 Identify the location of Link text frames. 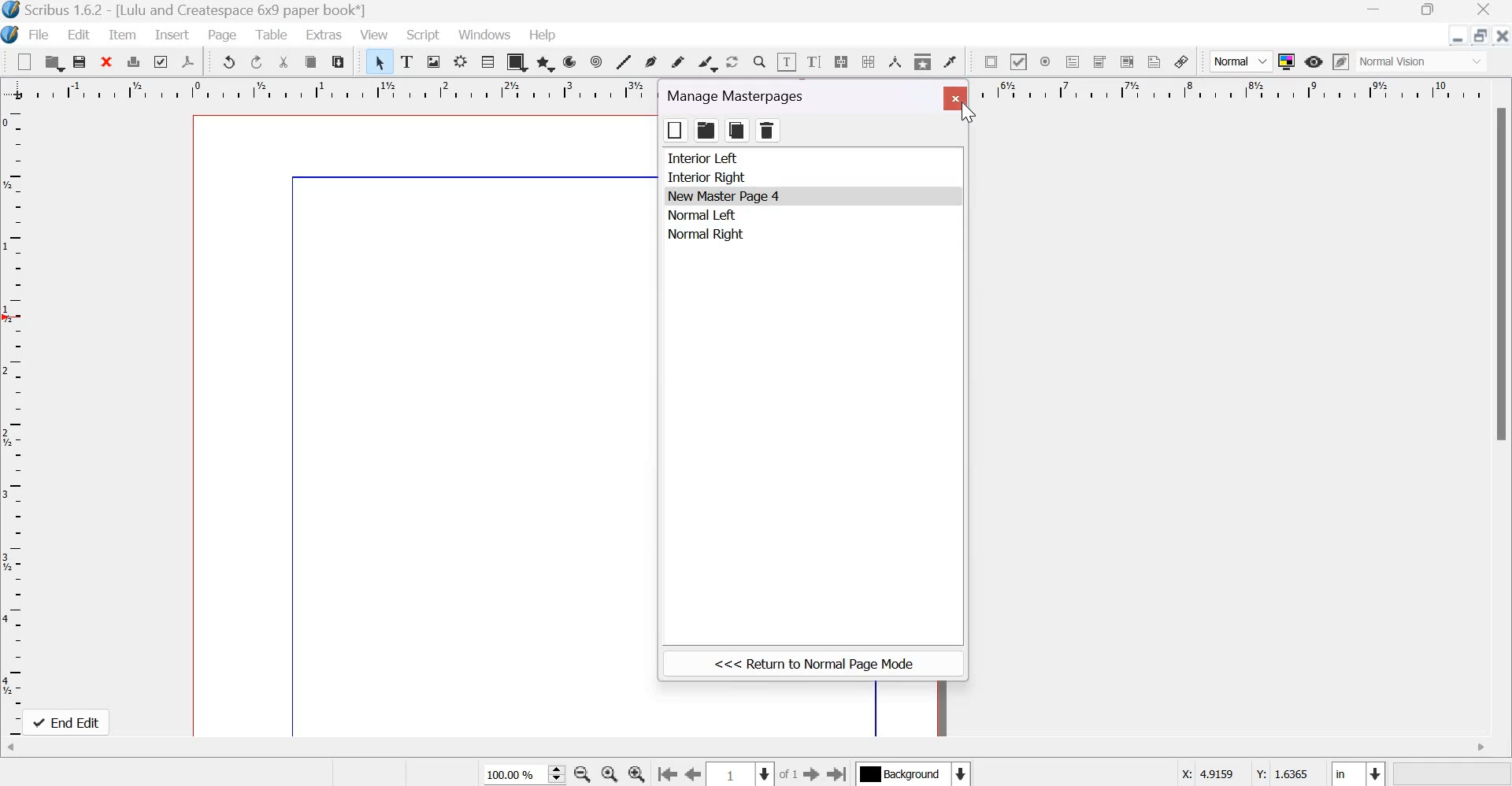
(839, 61).